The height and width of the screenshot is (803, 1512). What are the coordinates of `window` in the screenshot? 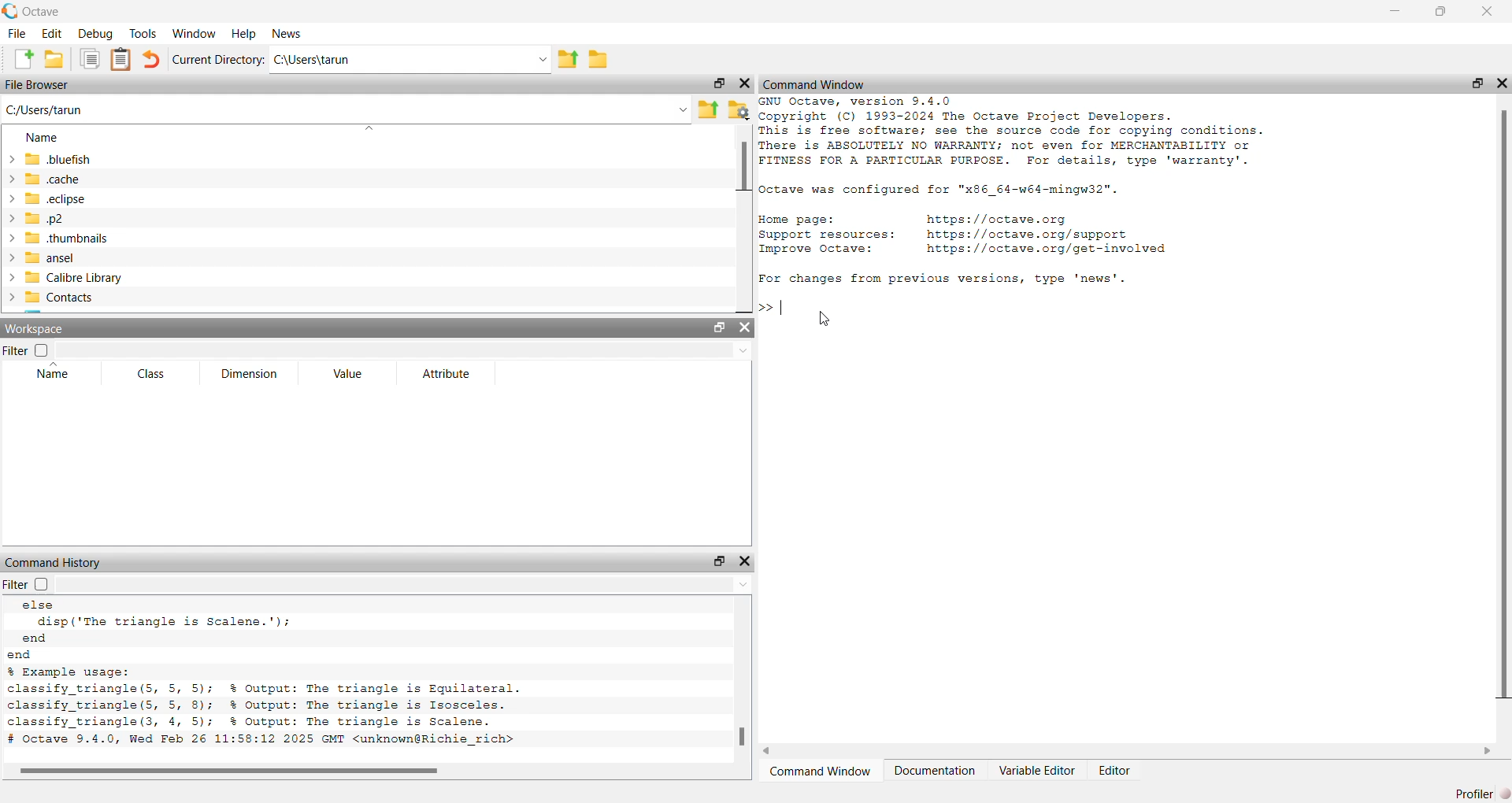 It's located at (195, 33).